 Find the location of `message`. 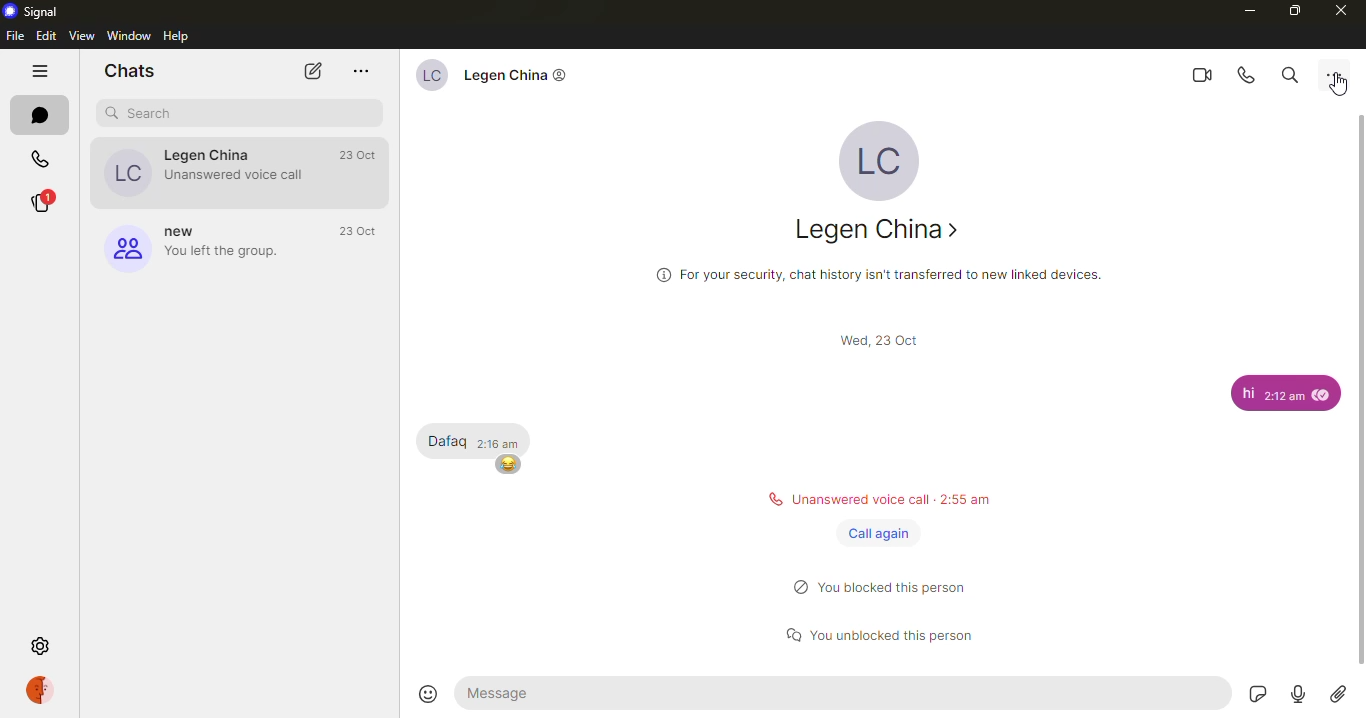

message is located at coordinates (1245, 393).